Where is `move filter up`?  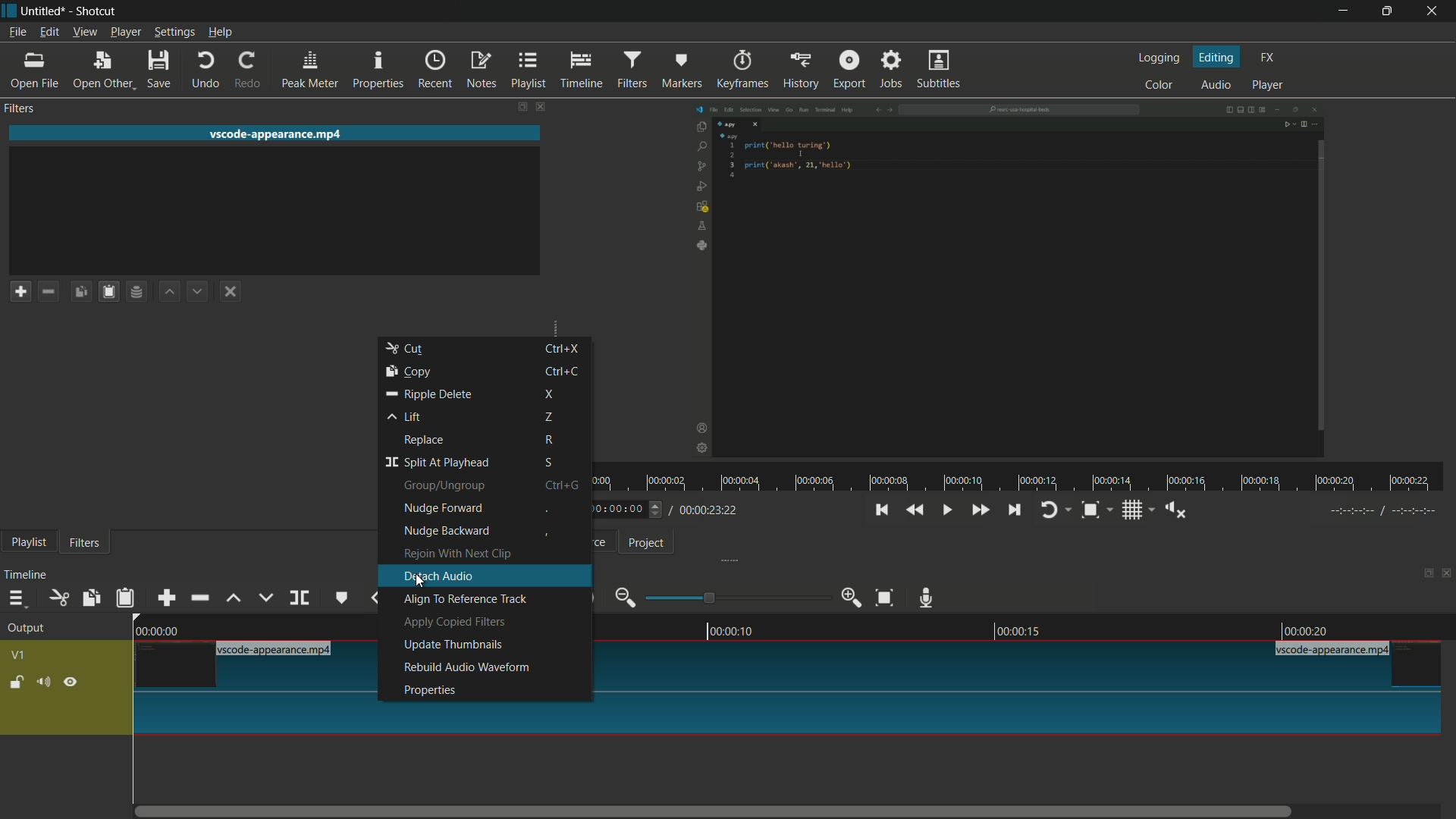 move filter up is located at coordinates (168, 292).